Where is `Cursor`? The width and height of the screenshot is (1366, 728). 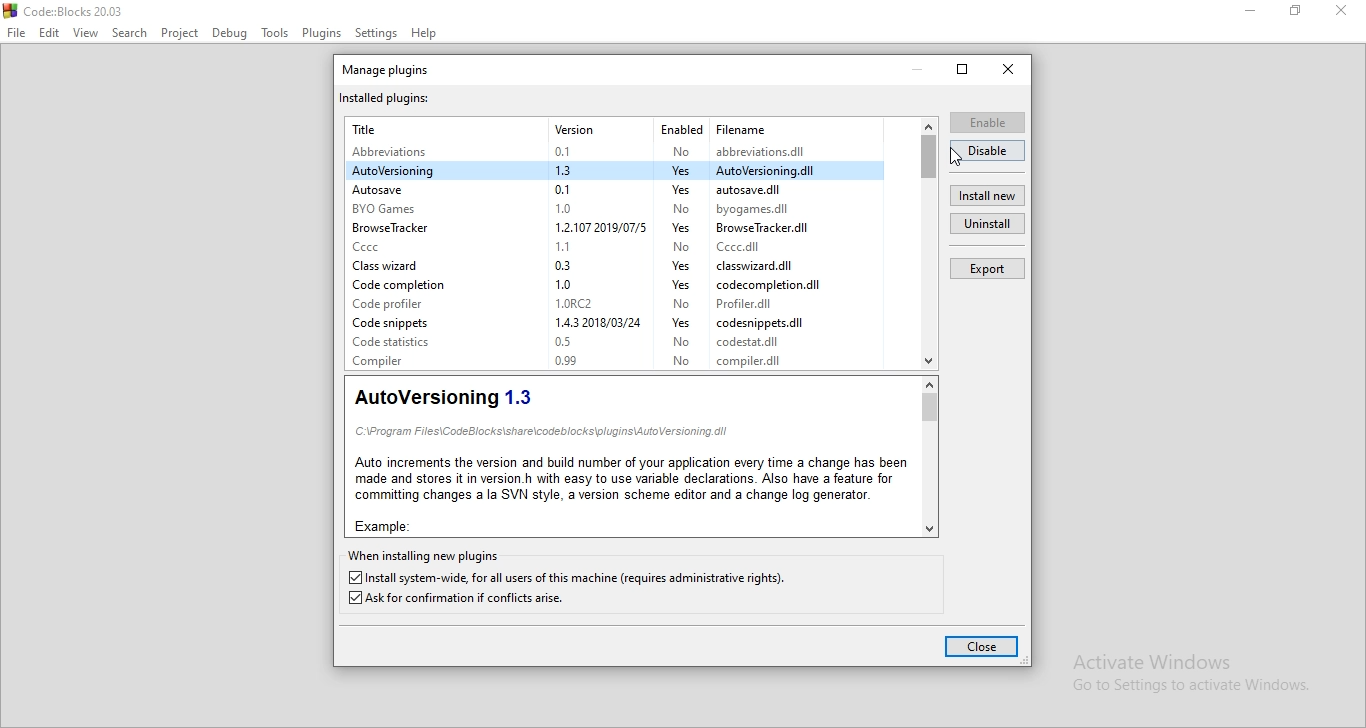
Cursor is located at coordinates (959, 159).